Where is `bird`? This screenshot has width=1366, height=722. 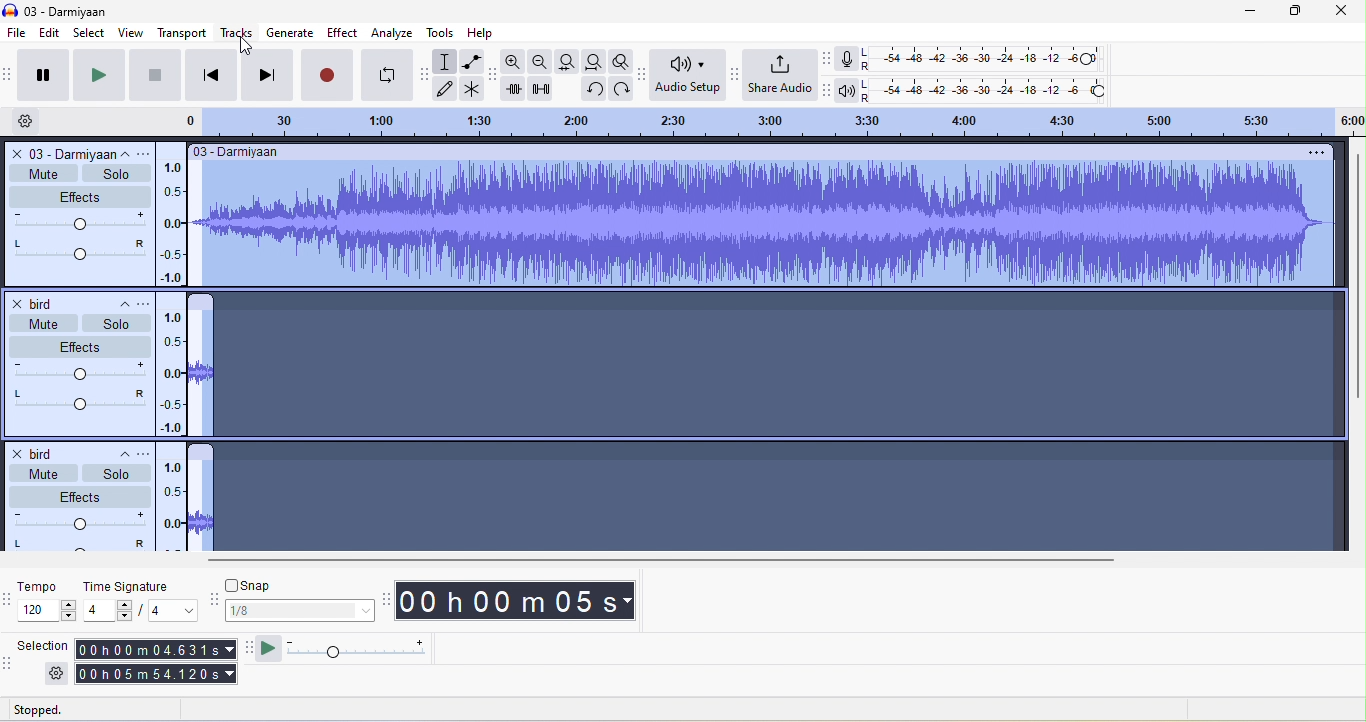 bird is located at coordinates (43, 452).